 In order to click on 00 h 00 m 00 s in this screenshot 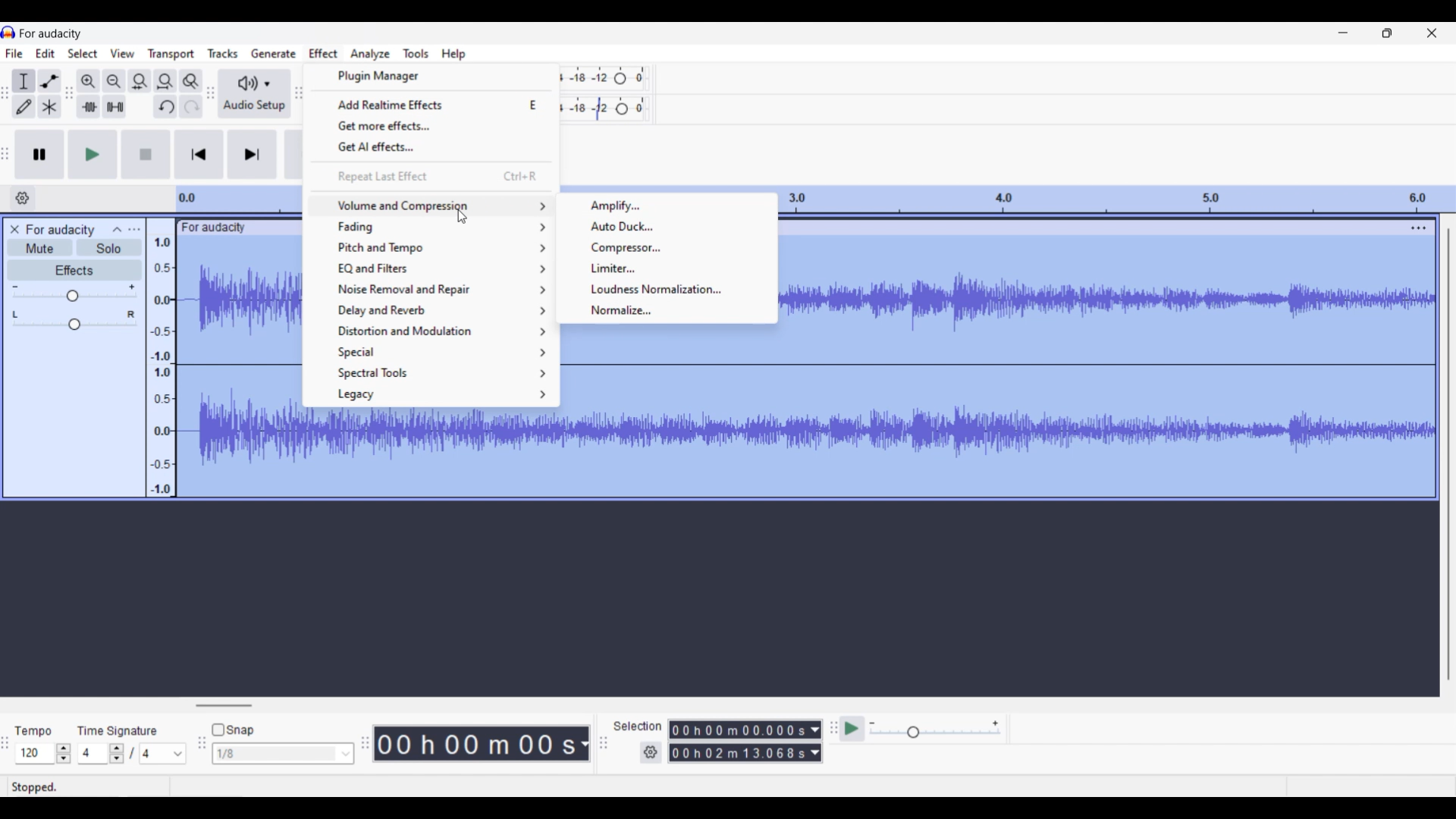, I will do `click(475, 739)`.